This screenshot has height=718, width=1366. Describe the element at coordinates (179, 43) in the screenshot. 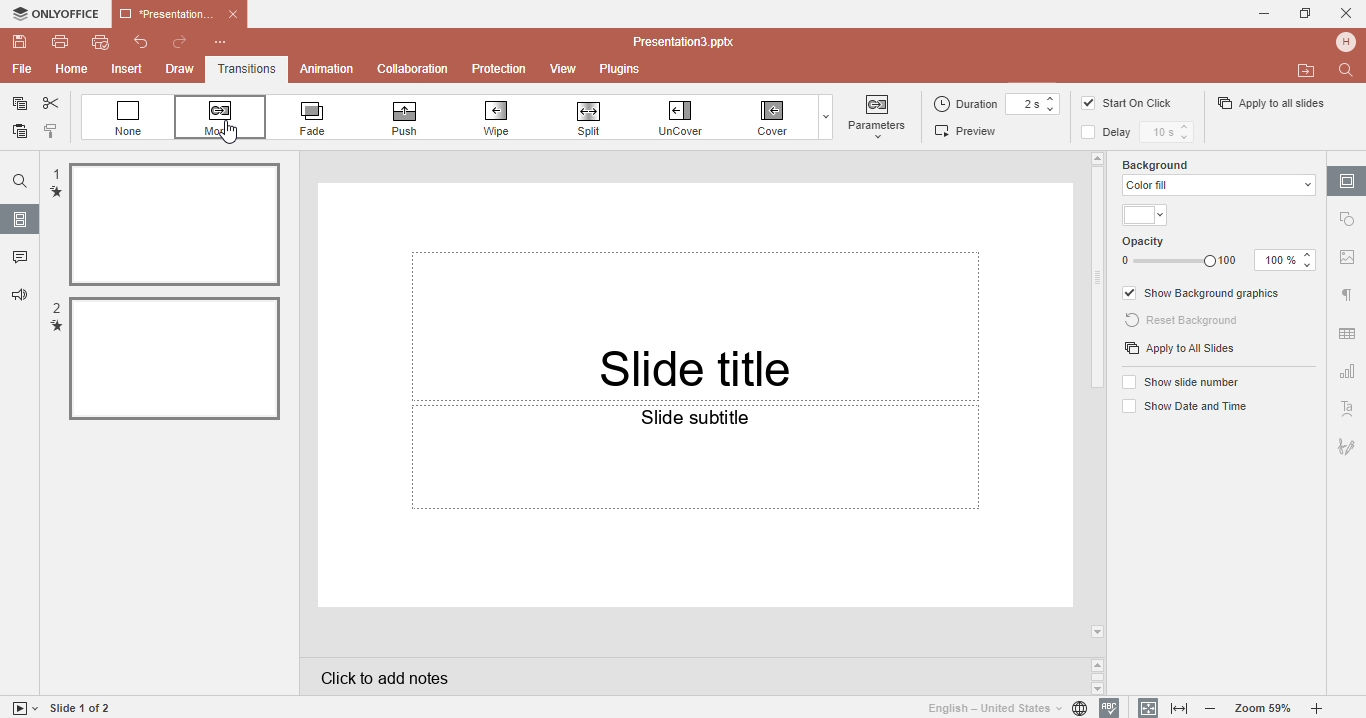

I see `Redo` at that location.